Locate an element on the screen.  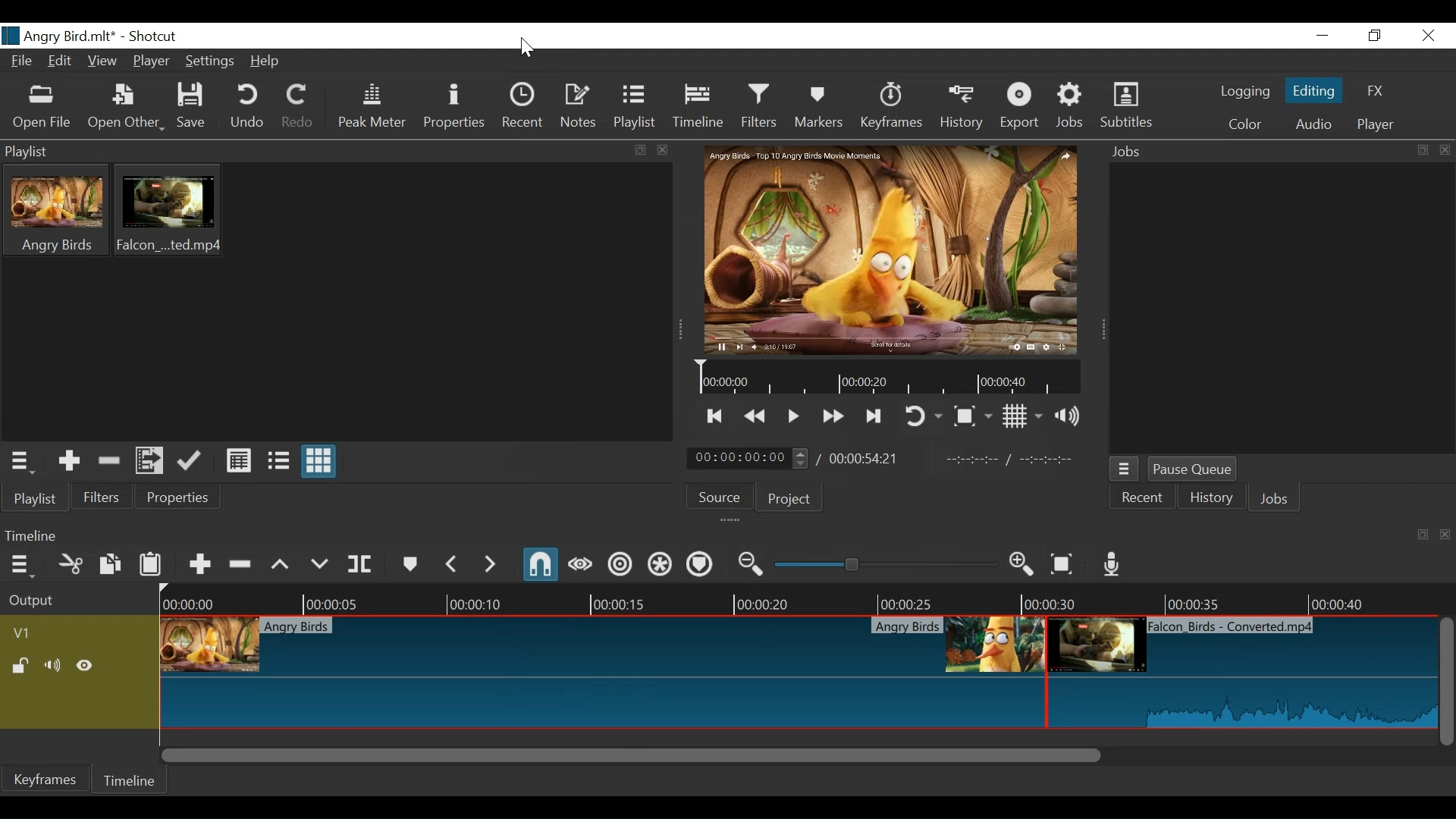
History is located at coordinates (1207, 497).